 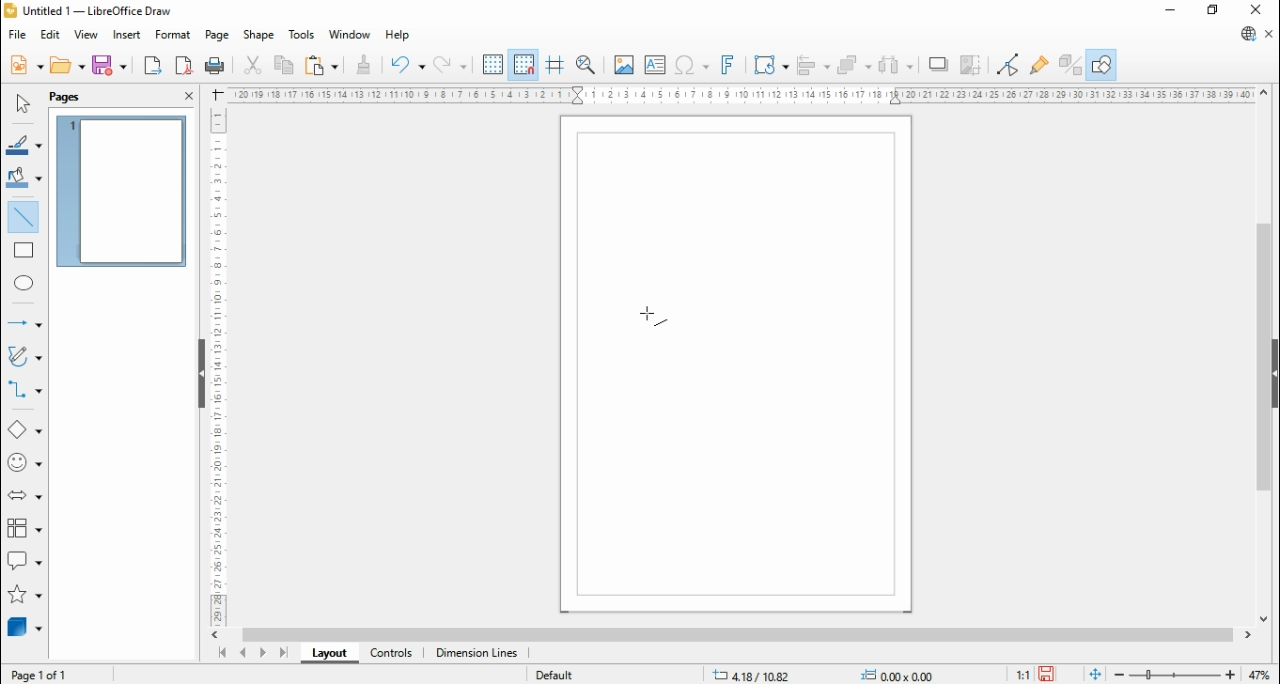 I want to click on toggle point edit mode, so click(x=1008, y=63).